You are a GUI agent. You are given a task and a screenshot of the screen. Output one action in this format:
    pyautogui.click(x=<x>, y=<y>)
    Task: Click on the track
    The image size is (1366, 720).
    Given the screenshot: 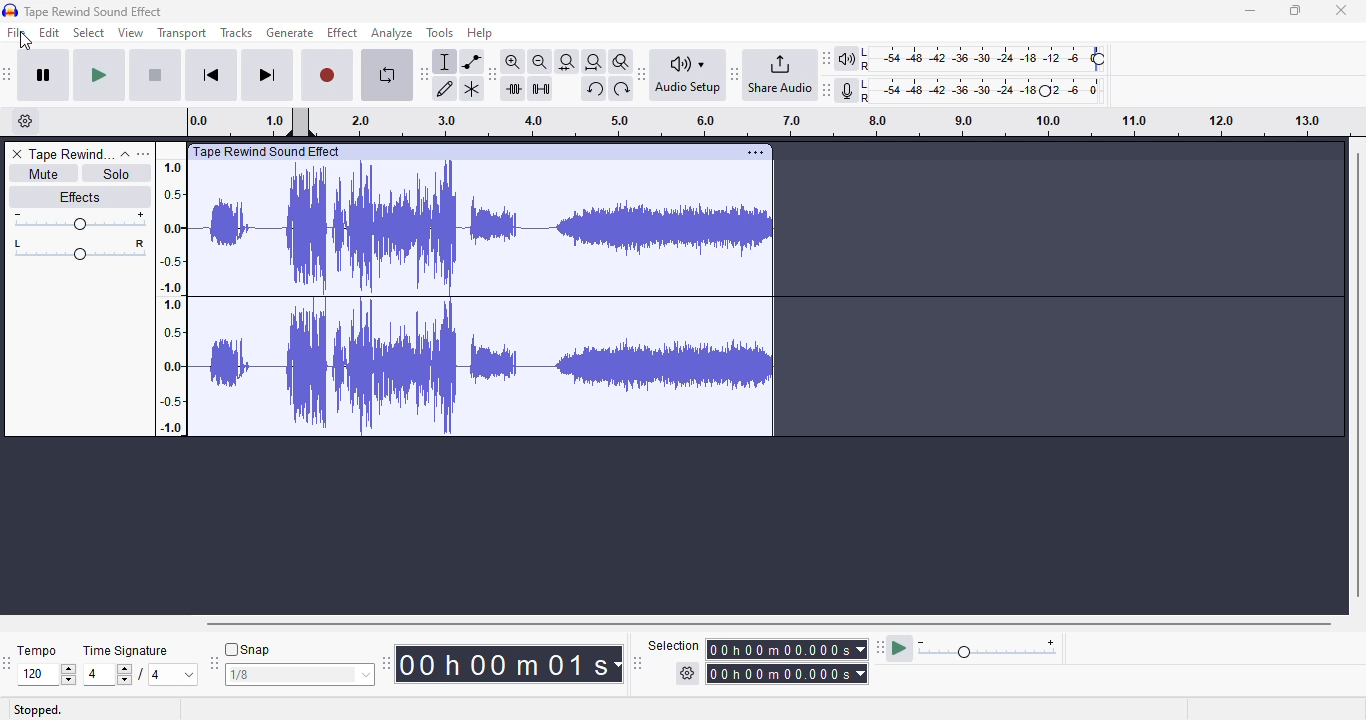 What is the action you would take?
    pyautogui.click(x=486, y=291)
    